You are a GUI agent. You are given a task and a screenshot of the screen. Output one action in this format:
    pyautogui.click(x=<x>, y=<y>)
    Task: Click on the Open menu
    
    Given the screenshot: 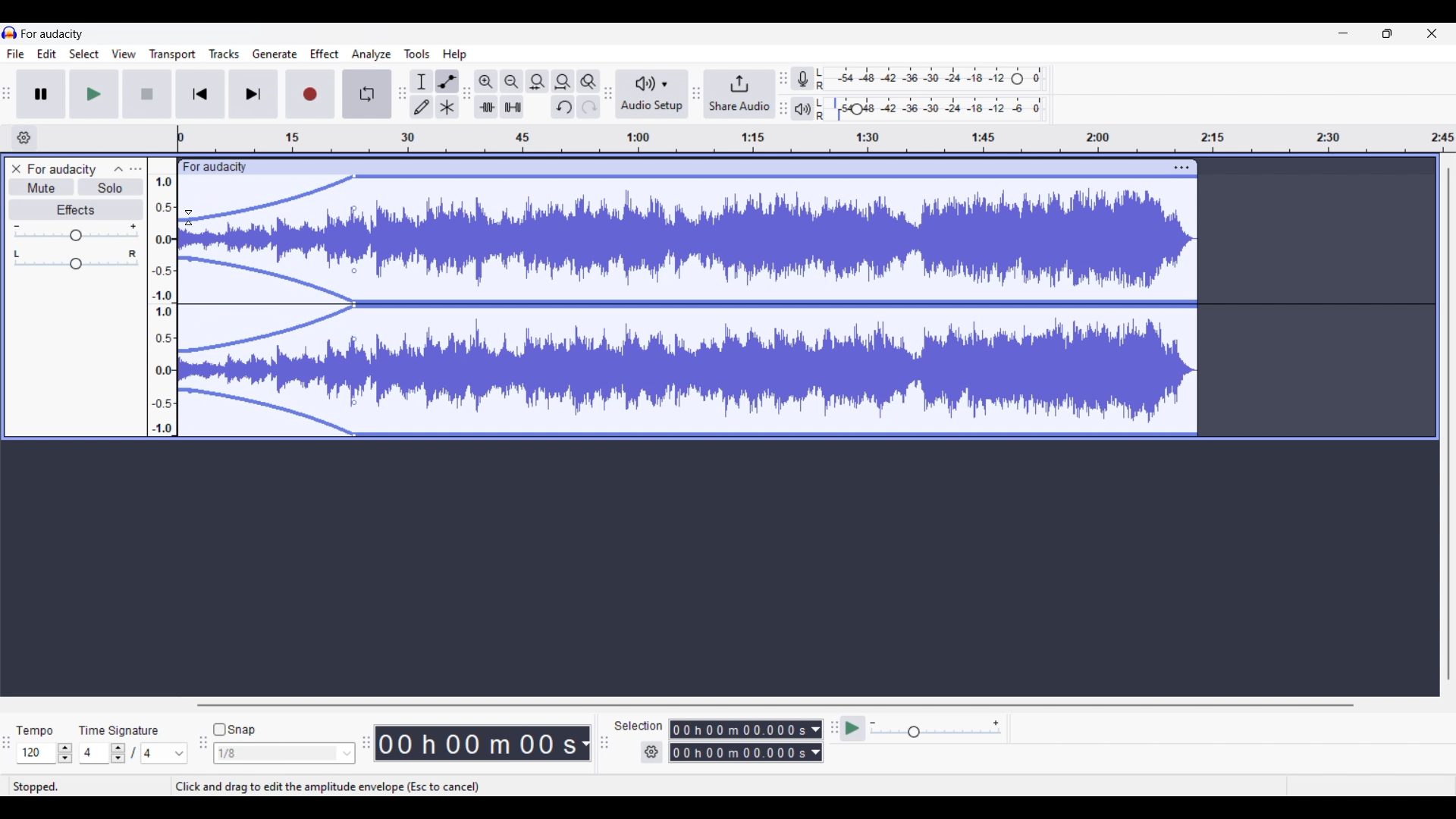 What is the action you would take?
    pyautogui.click(x=136, y=169)
    